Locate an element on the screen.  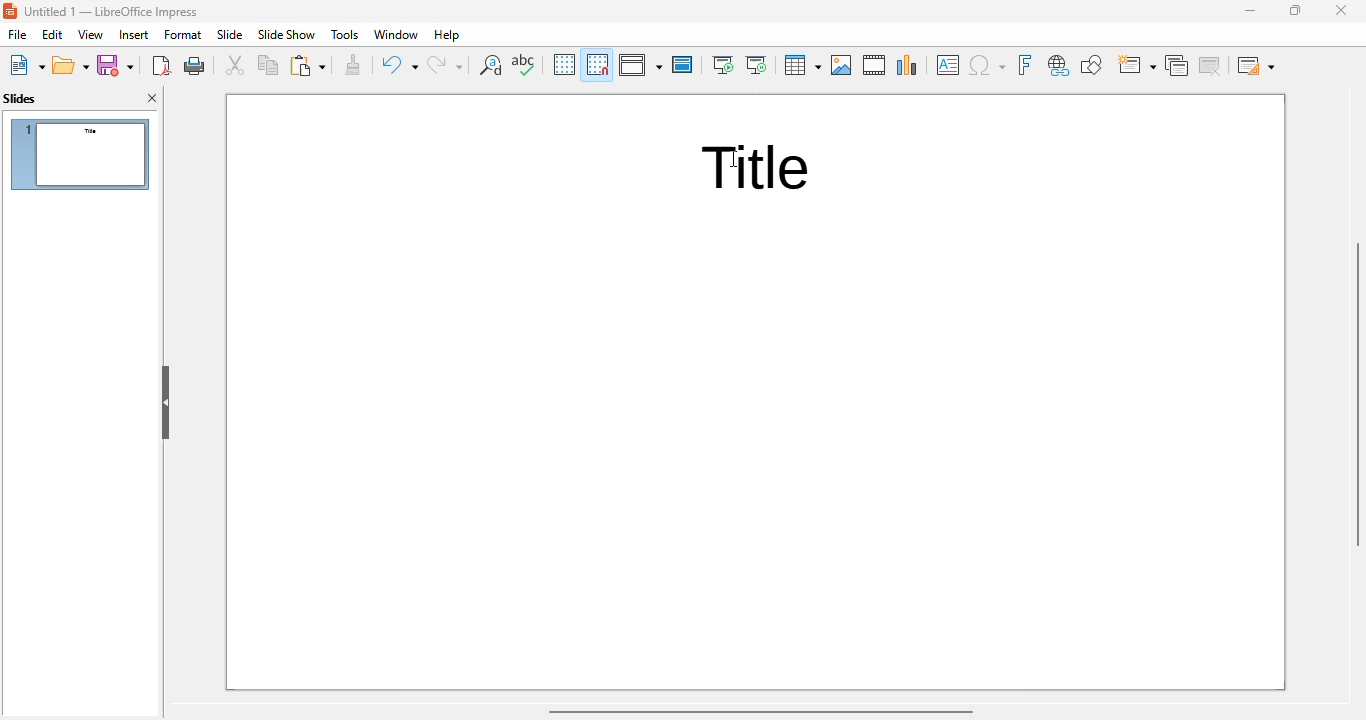
insert hyperlink is located at coordinates (1060, 65).